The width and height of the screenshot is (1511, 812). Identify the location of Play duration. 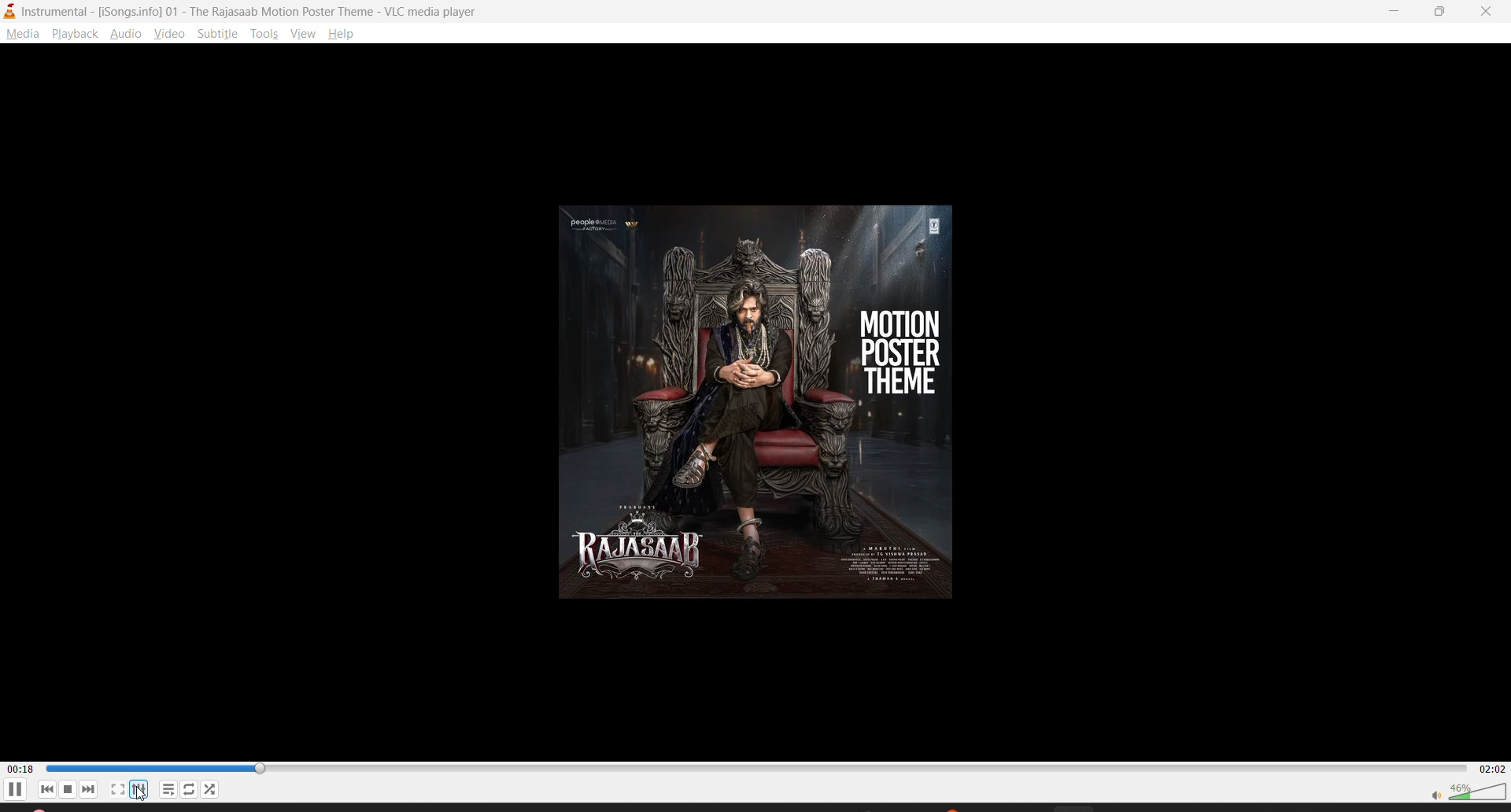
(753, 768).